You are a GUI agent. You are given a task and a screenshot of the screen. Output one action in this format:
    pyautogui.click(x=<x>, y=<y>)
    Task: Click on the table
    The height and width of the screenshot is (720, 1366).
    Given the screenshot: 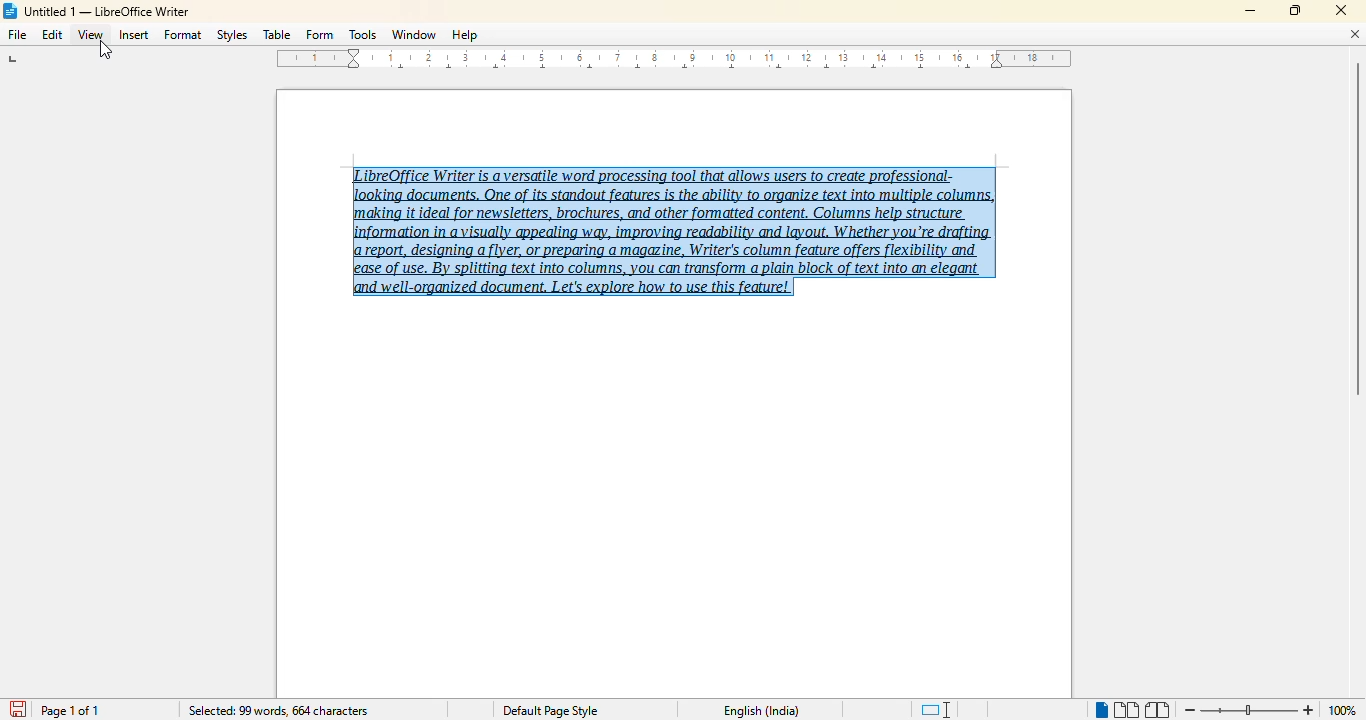 What is the action you would take?
    pyautogui.click(x=277, y=35)
    